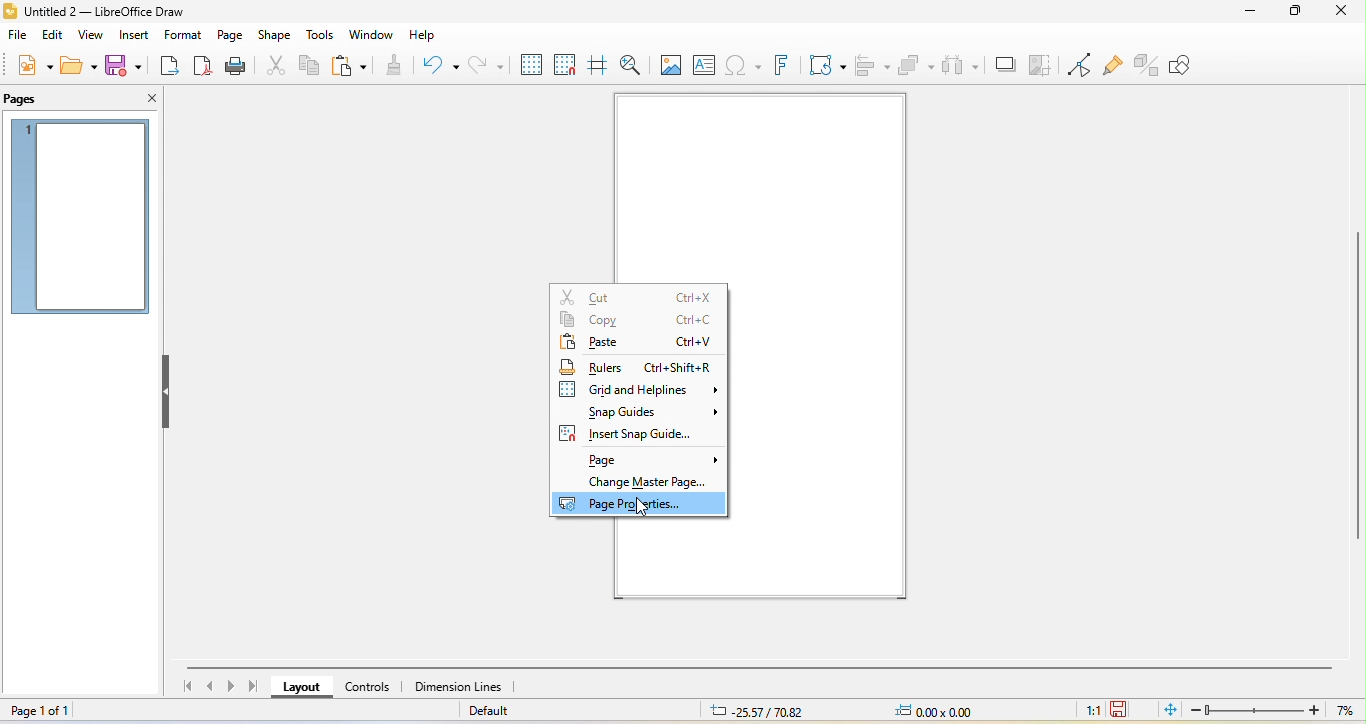  What do you see at coordinates (132, 36) in the screenshot?
I see `insert` at bounding box center [132, 36].